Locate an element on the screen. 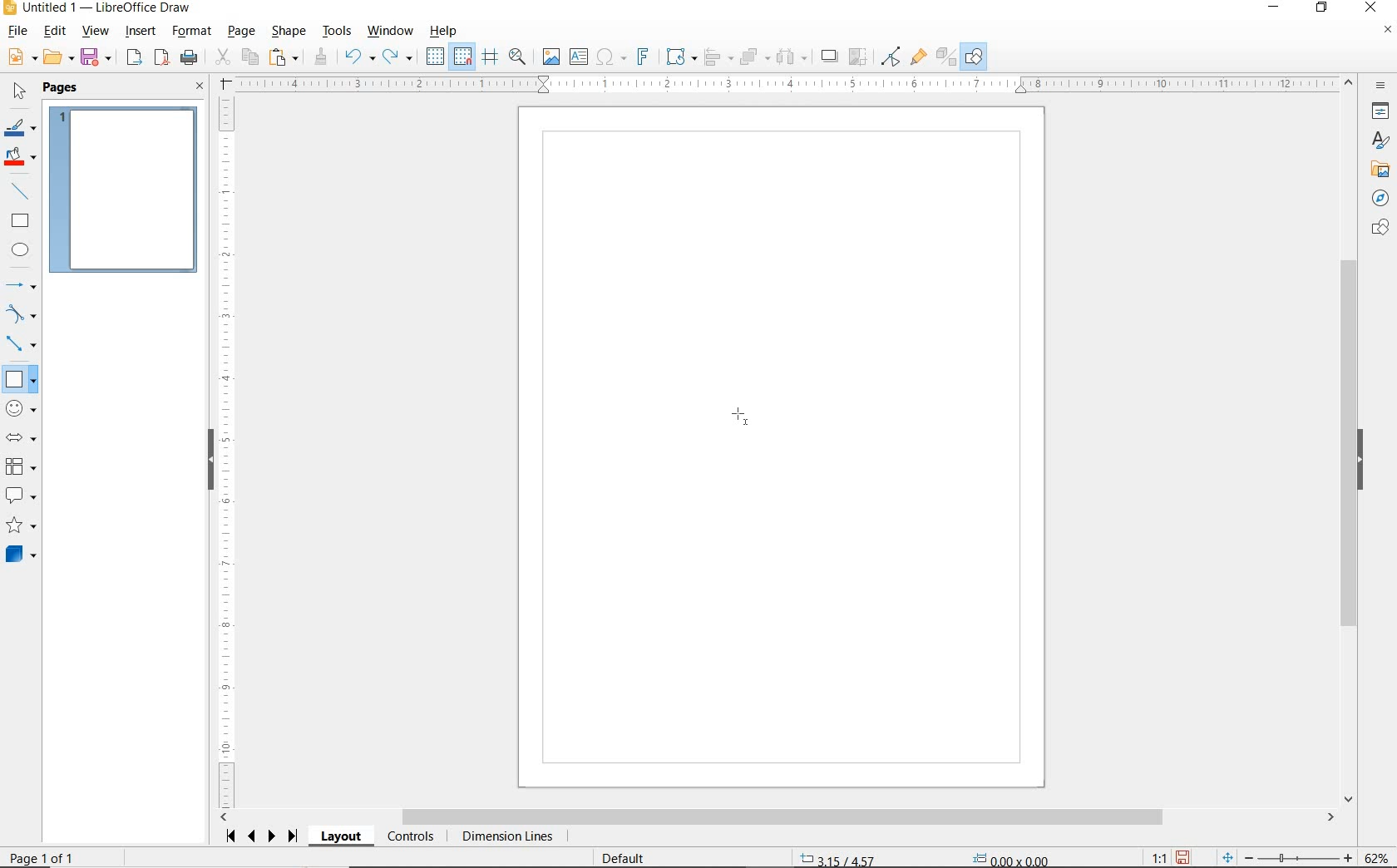 This screenshot has width=1397, height=868. MINIMIZE is located at coordinates (1278, 8).